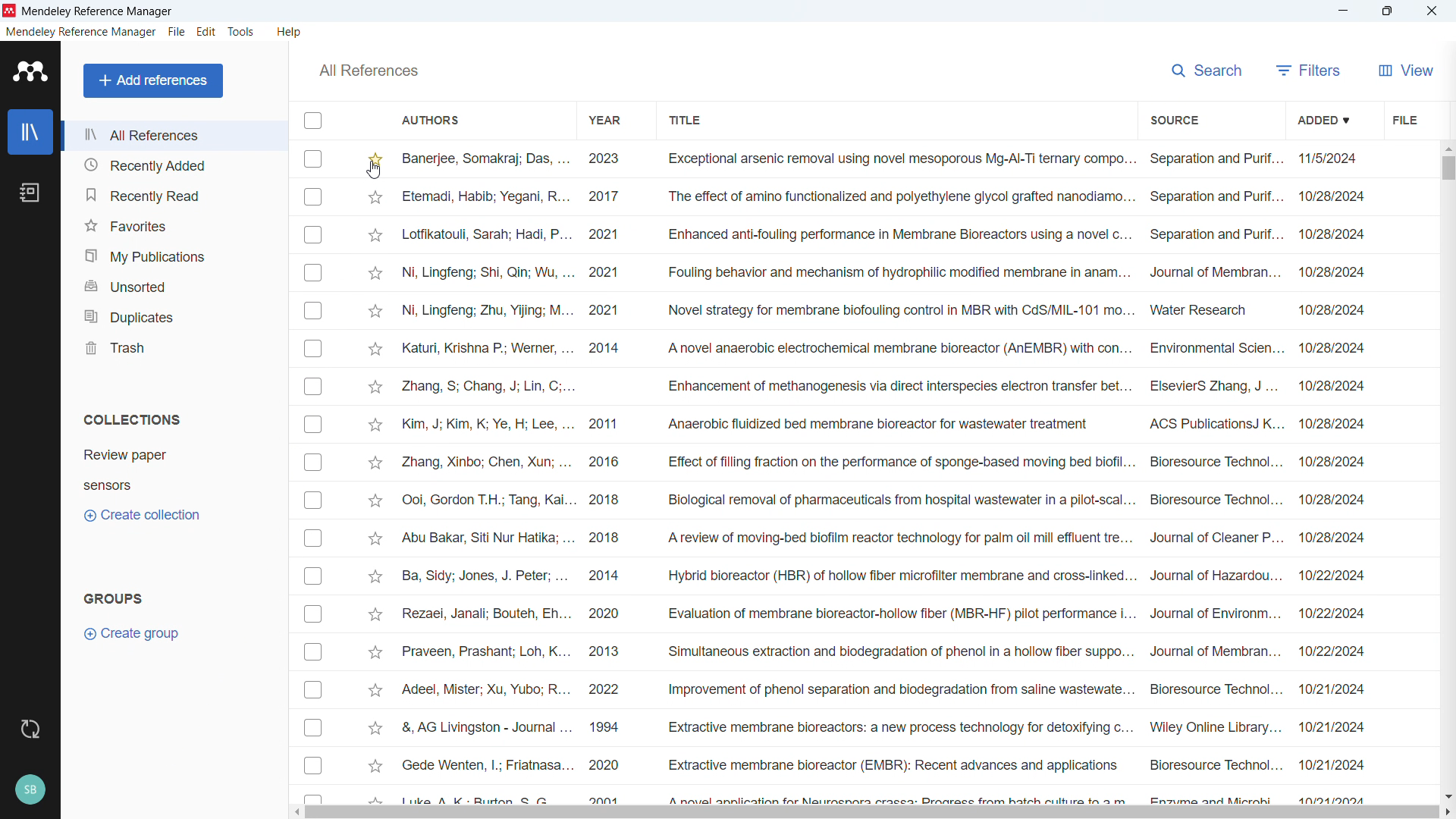  I want to click on notebook, so click(31, 192).